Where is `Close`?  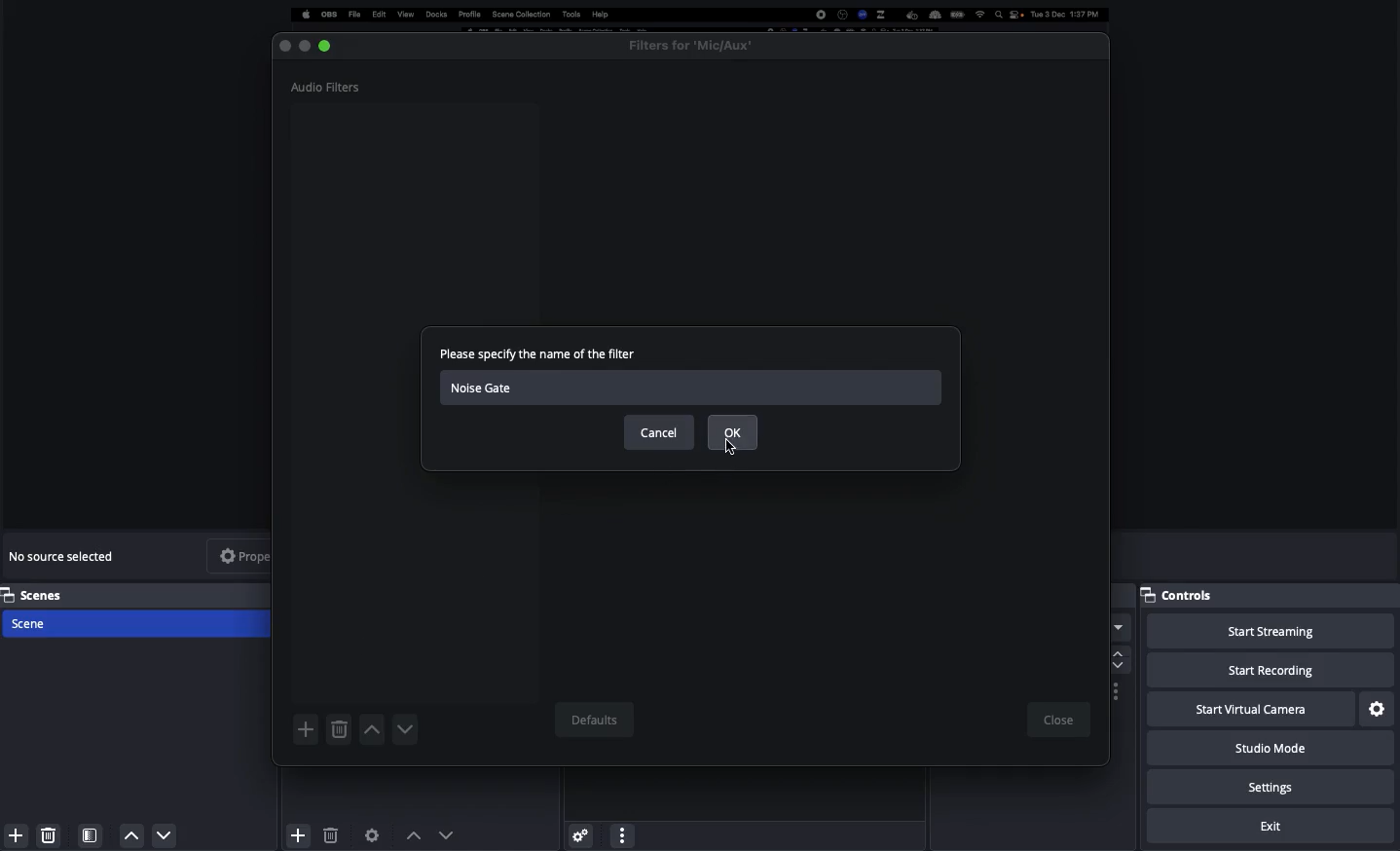 Close is located at coordinates (284, 45).